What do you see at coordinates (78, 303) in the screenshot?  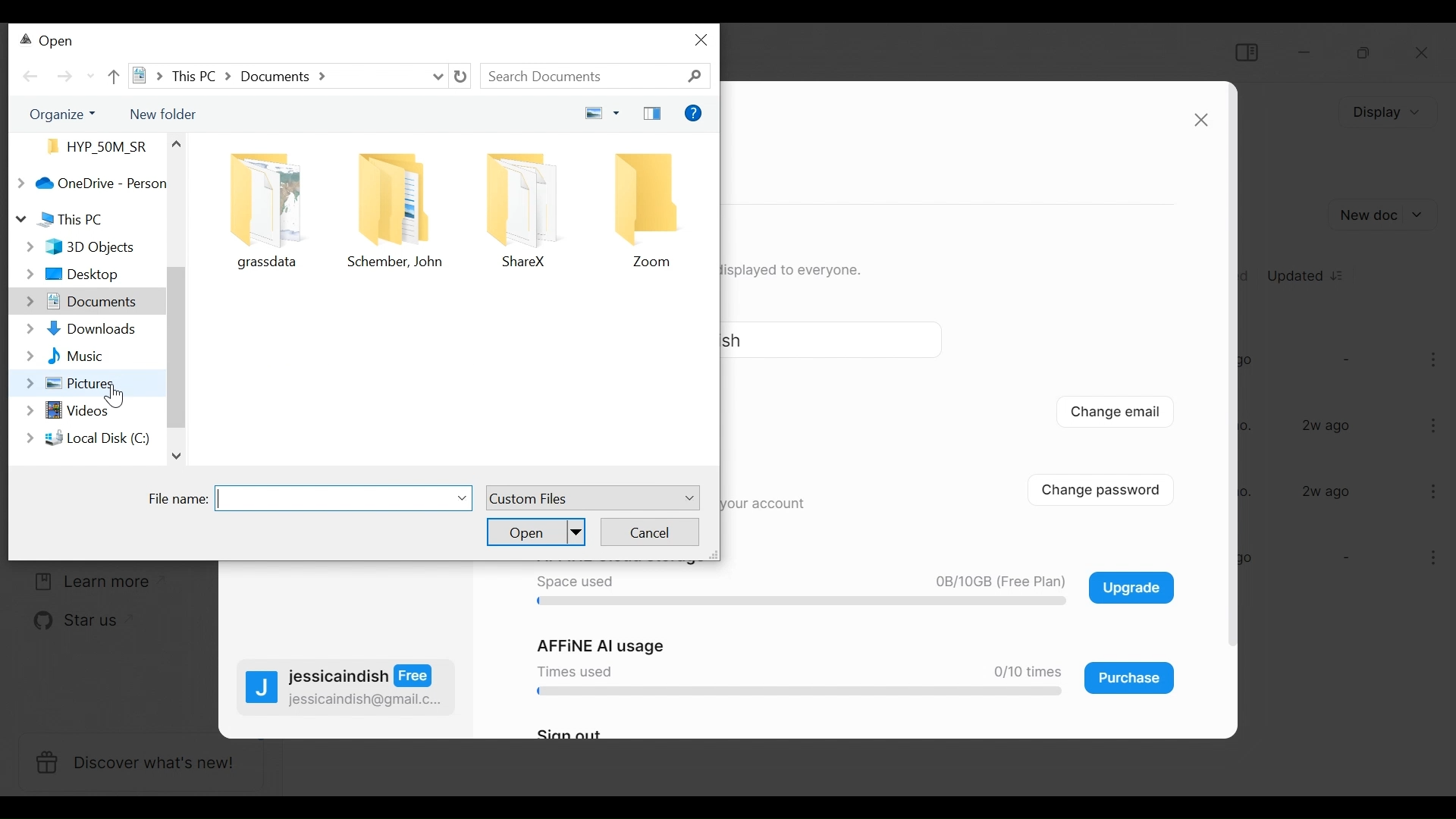 I see `Documents` at bounding box center [78, 303].